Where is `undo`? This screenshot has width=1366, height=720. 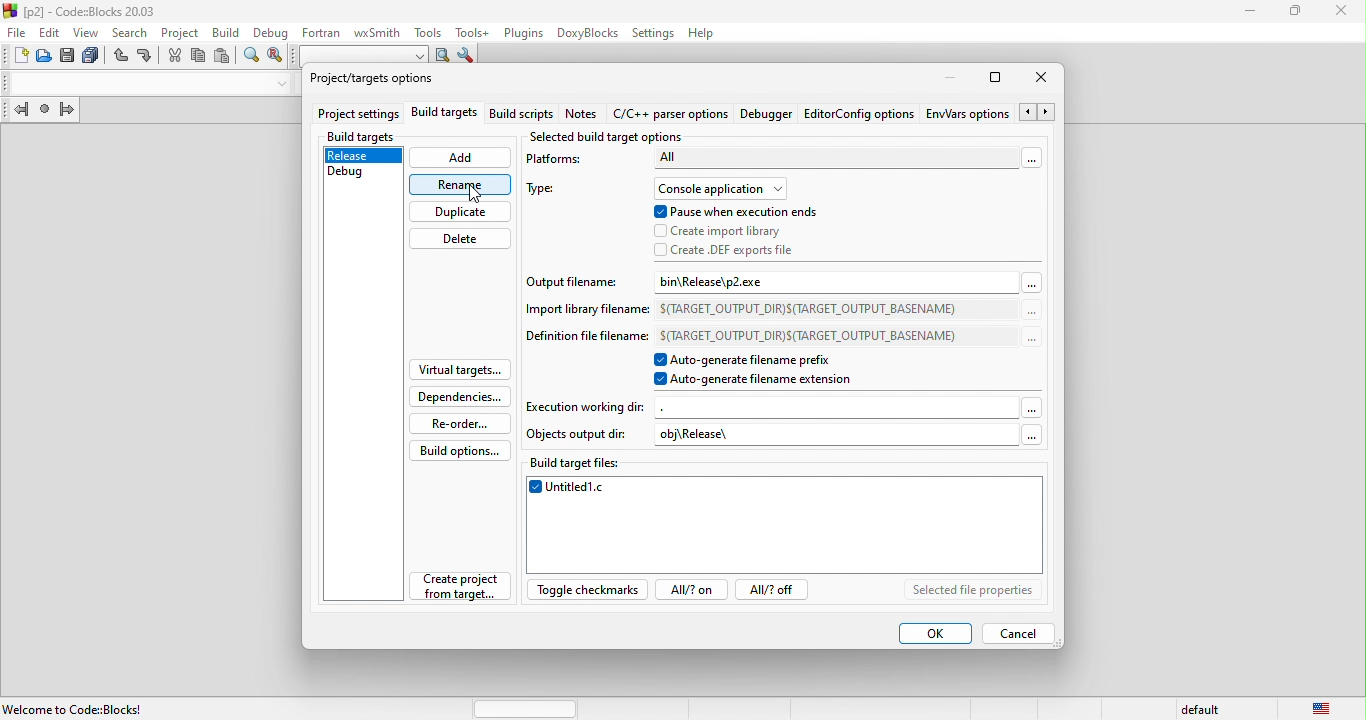
undo is located at coordinates (122, 58).